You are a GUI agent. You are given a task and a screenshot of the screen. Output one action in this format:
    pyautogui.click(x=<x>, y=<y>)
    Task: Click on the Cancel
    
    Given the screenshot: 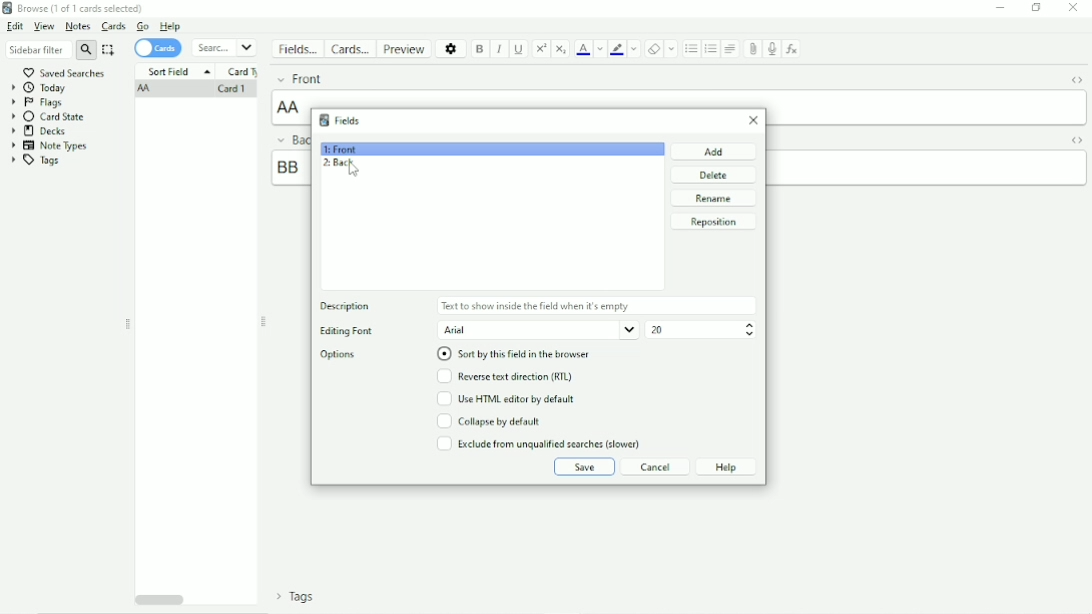 What is the action you would take?
    pyautogui.click(x=656, y=467)
    